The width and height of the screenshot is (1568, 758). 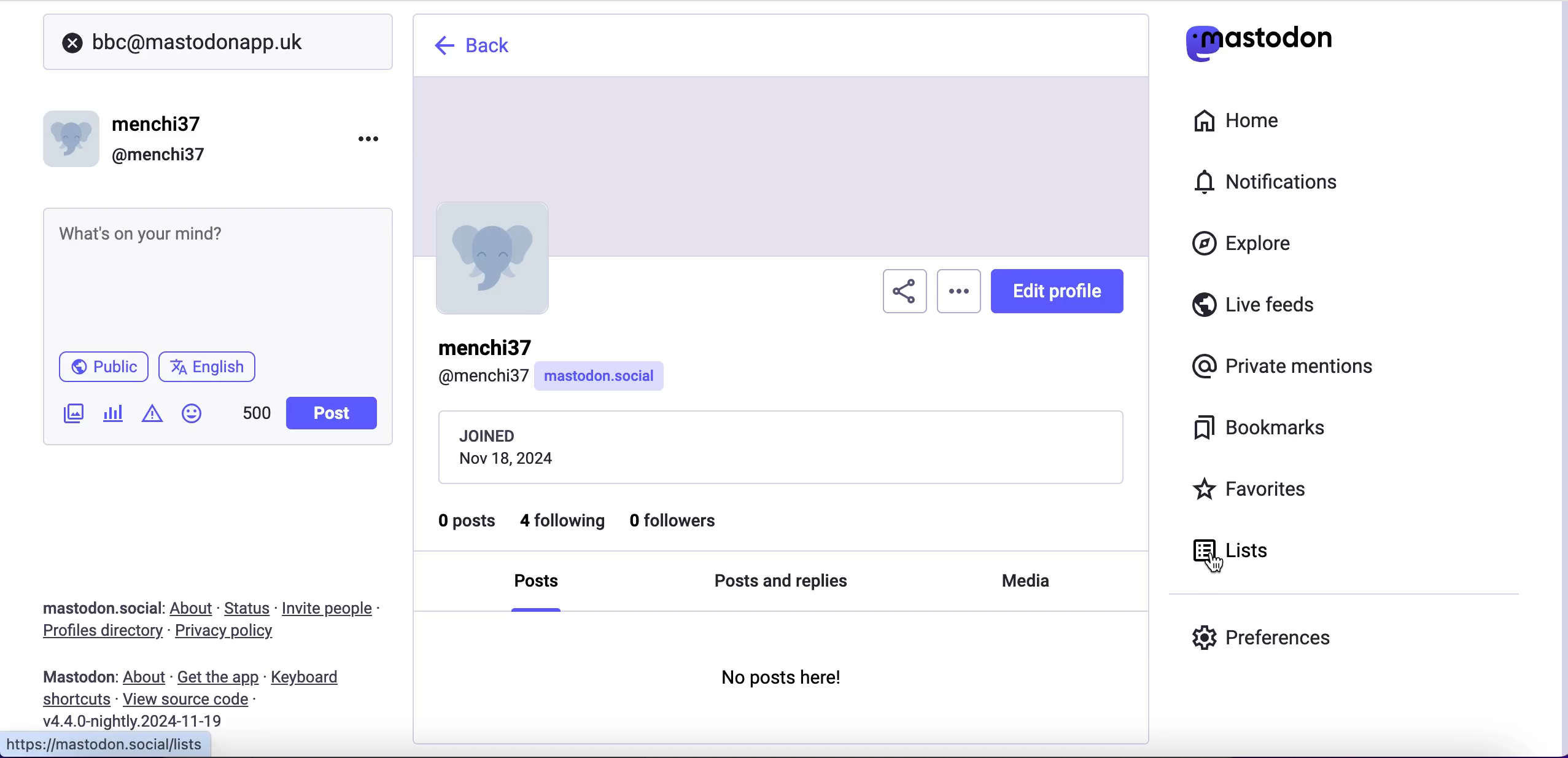 I want to click on mastodon social, so click(x=86, y=609).